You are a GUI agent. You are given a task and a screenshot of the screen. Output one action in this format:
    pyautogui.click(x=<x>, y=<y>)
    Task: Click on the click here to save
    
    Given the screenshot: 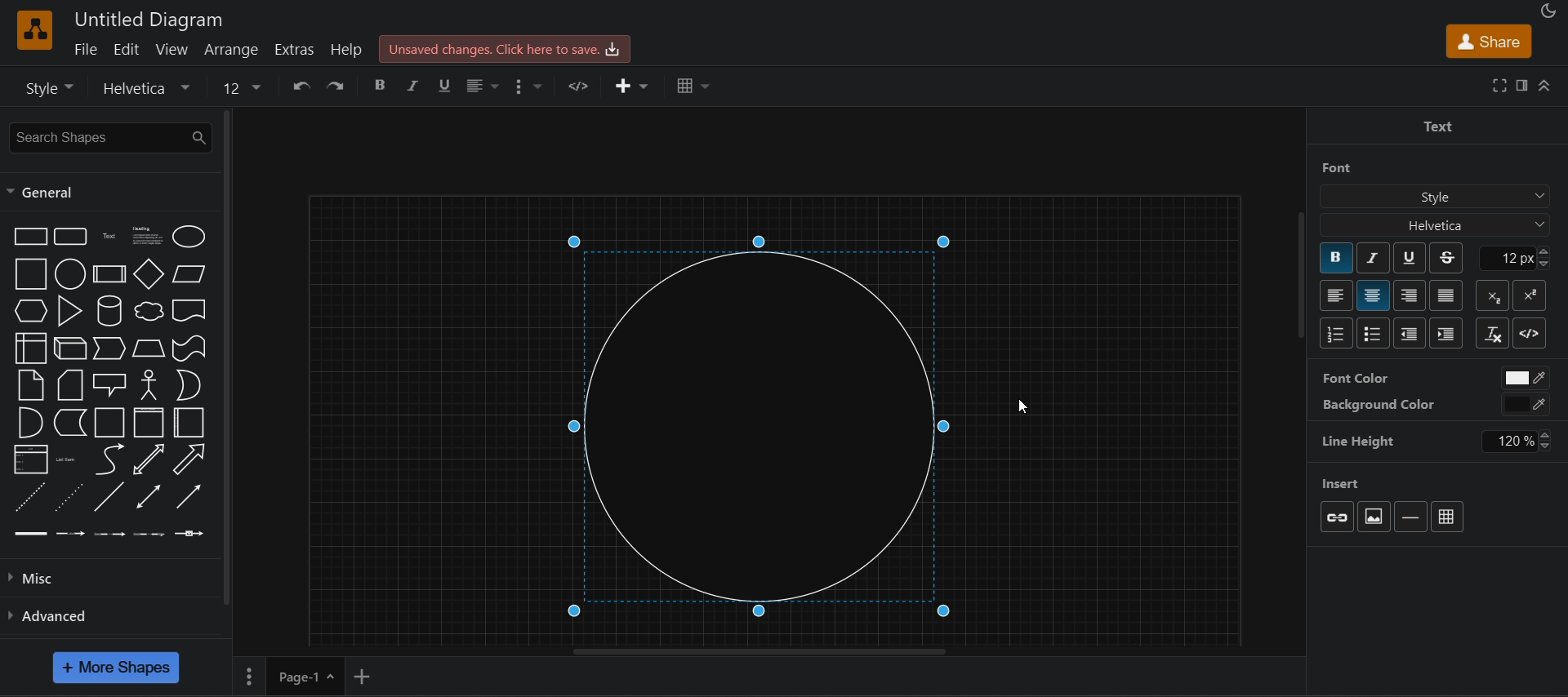 What is the action you would take?
    pyautogui.click(x=506, y=48)
    